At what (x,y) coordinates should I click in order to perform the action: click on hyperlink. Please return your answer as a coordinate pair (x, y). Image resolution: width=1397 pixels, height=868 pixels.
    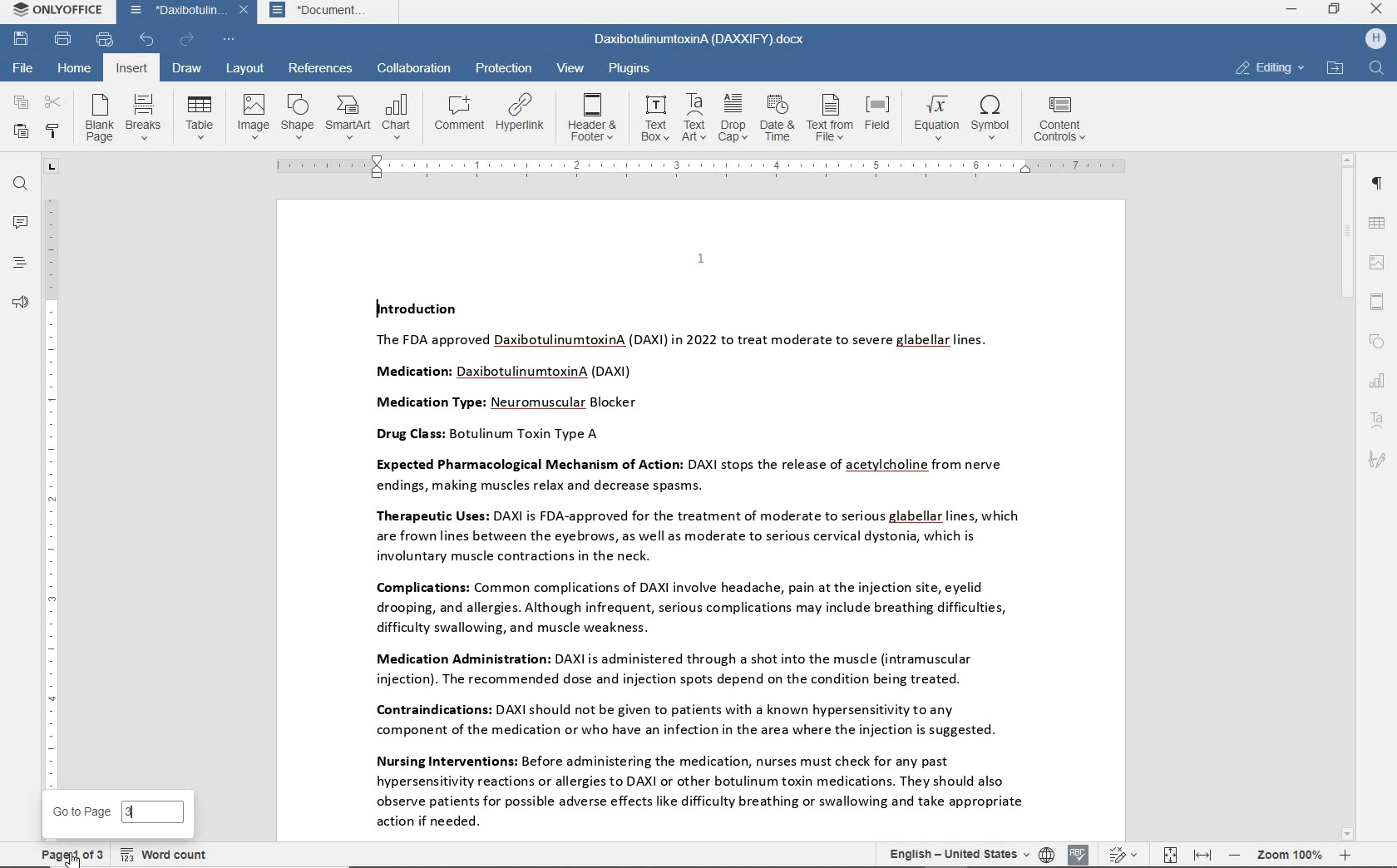
    Looking at the image, I should click on (521, 112).